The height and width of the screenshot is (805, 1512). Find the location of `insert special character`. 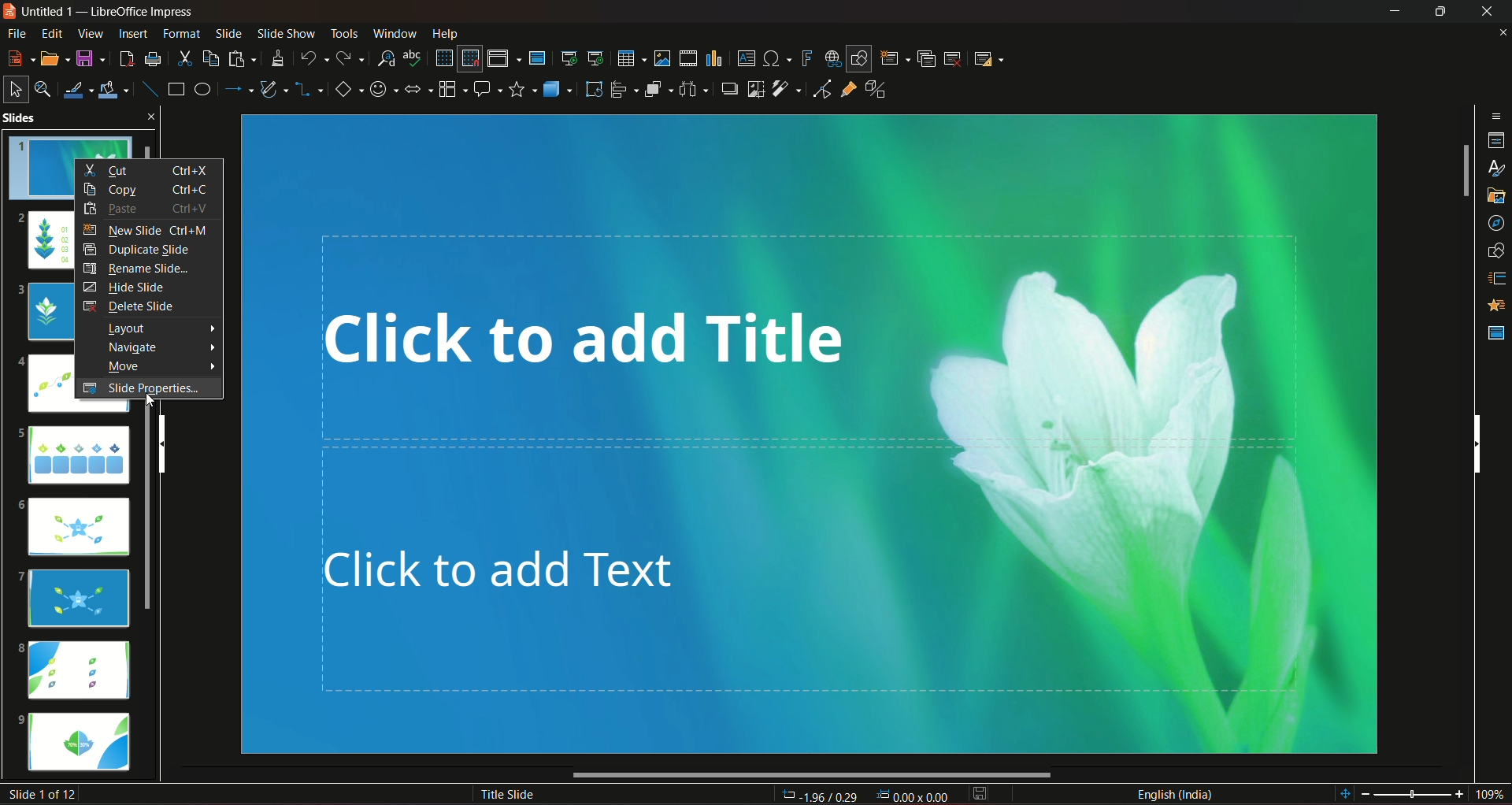

insert special character is located at coordinates (776, 58).